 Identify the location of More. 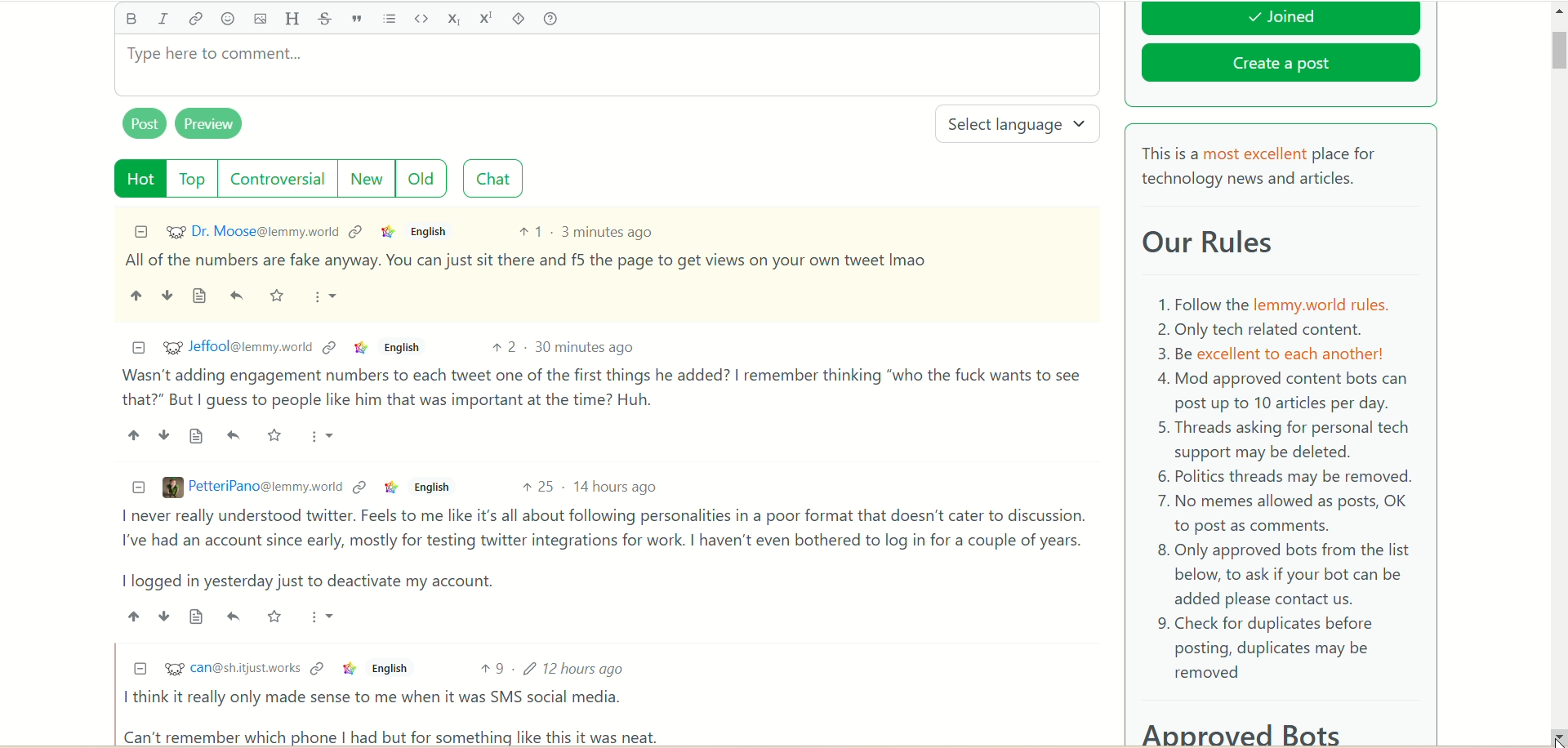
(327, 297).